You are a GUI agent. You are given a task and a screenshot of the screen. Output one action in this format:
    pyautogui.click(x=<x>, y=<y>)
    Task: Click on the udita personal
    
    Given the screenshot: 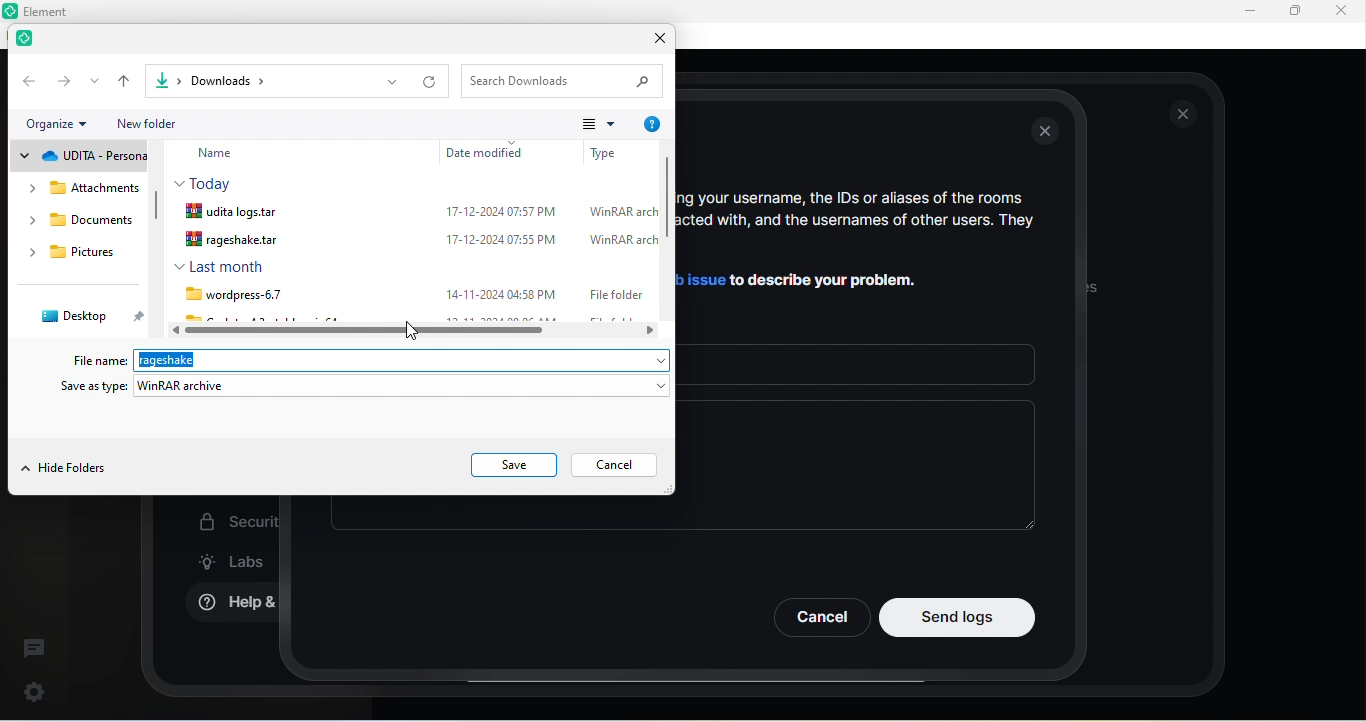 What is the action you would take?
    pyautogui.click(x=79, y=157)
    